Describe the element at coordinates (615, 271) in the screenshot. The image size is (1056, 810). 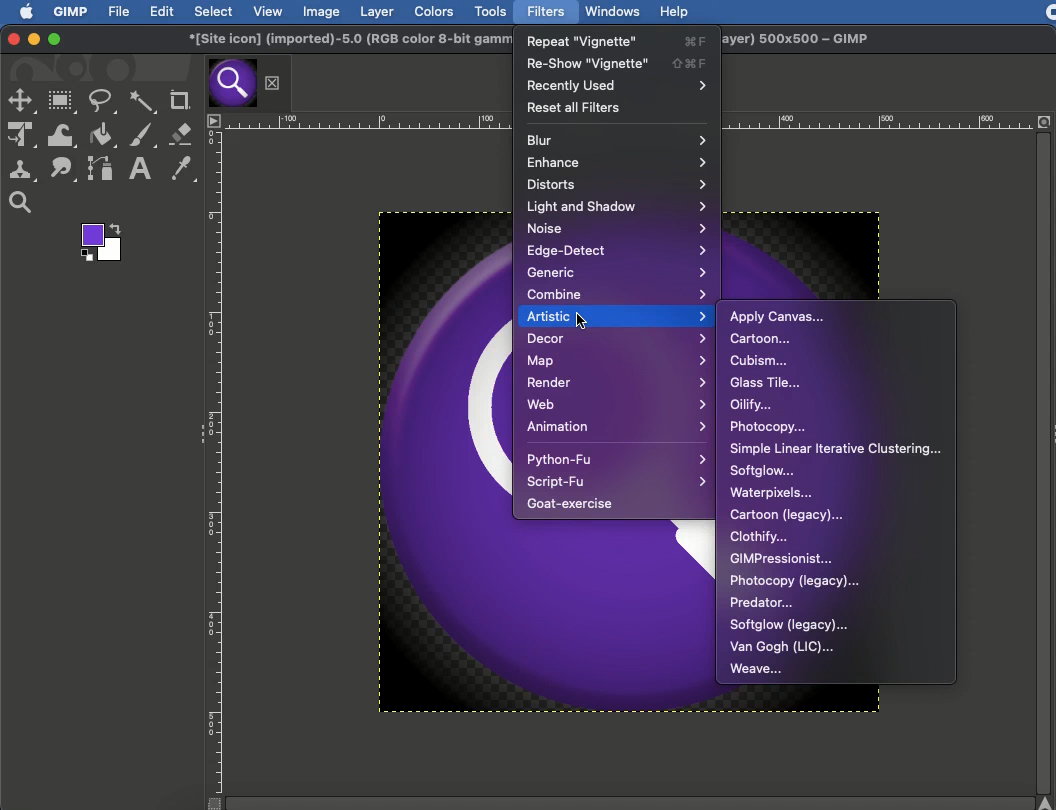
I see `Generic` at that location.